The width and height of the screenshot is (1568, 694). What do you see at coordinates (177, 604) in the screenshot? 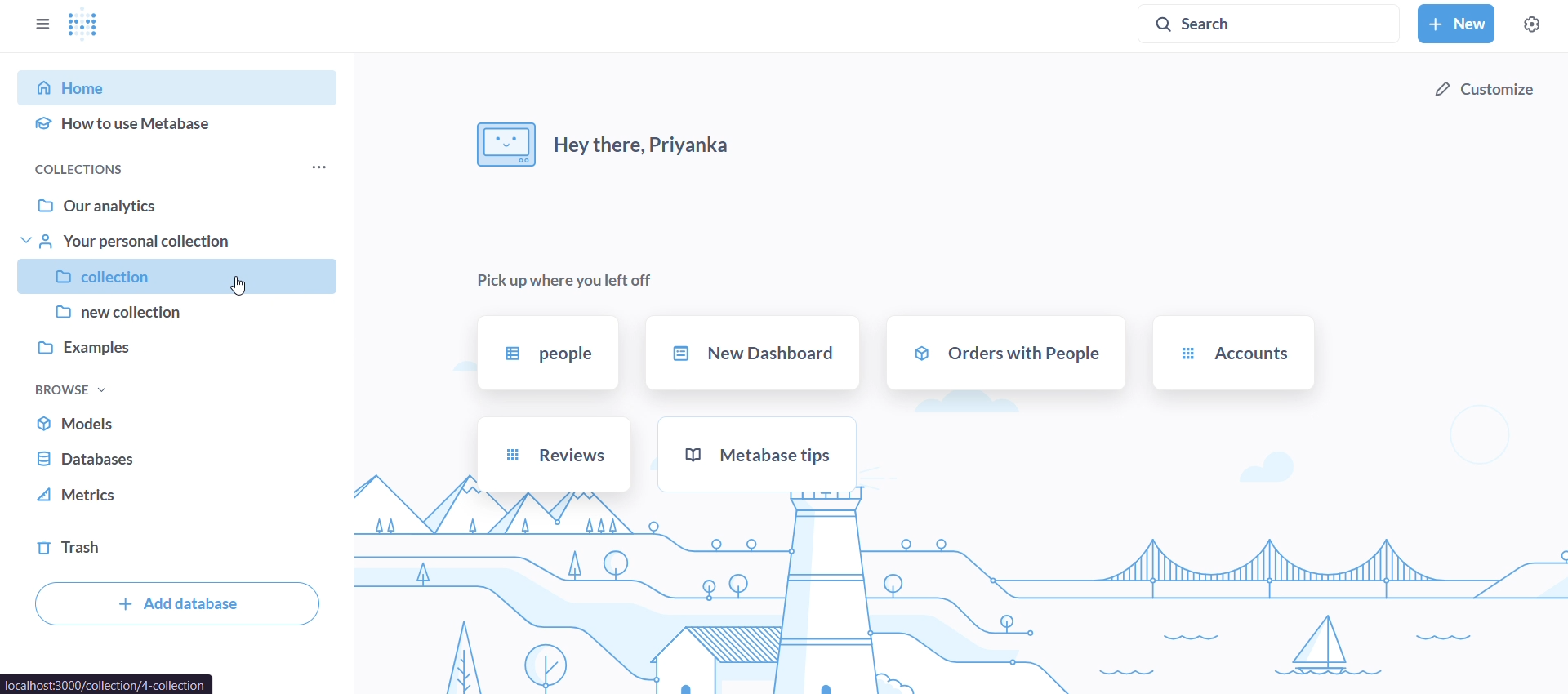
I see `add database` at bounding box center [177, 604].